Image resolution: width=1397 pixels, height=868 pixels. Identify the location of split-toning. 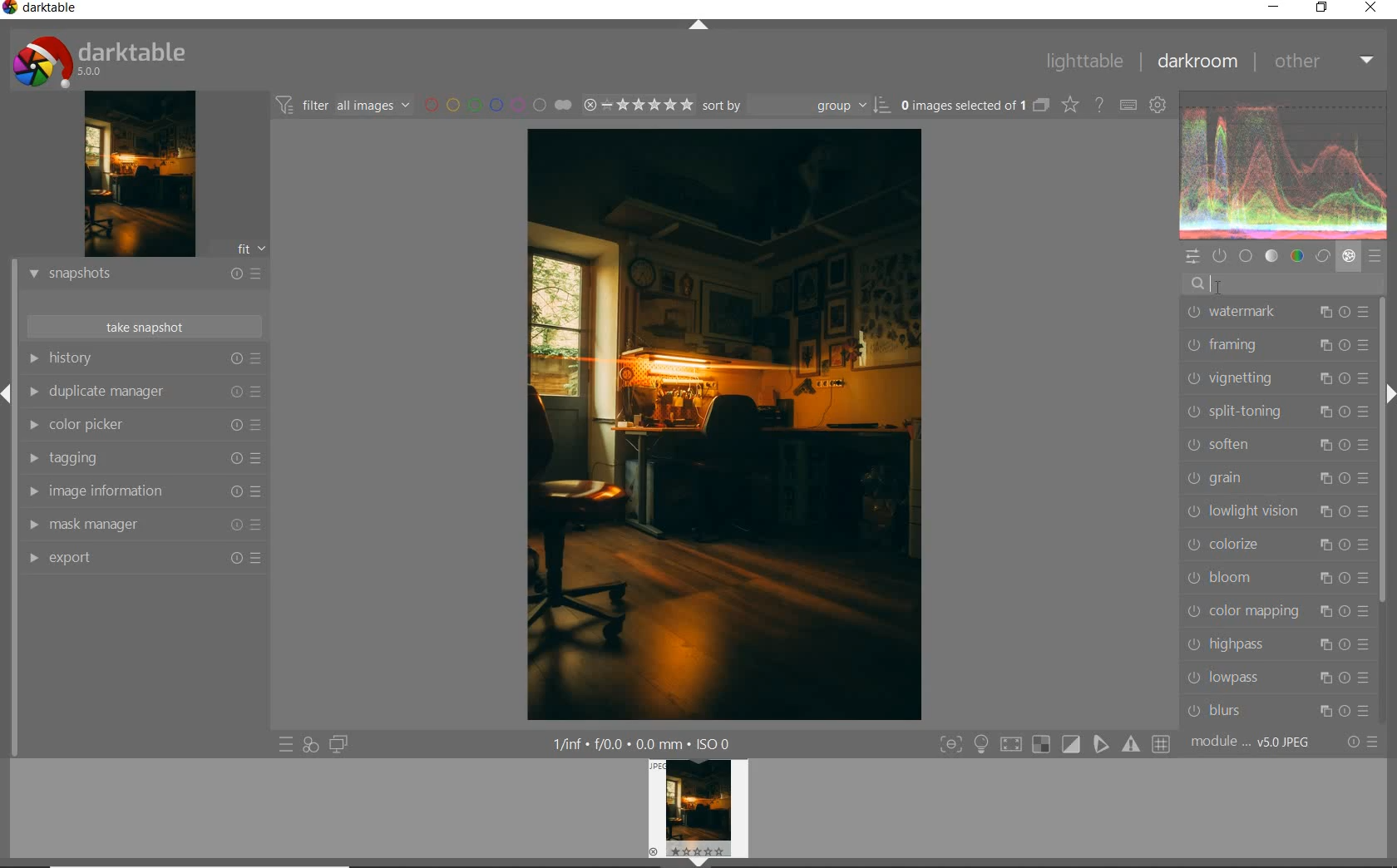
(1277, 411).